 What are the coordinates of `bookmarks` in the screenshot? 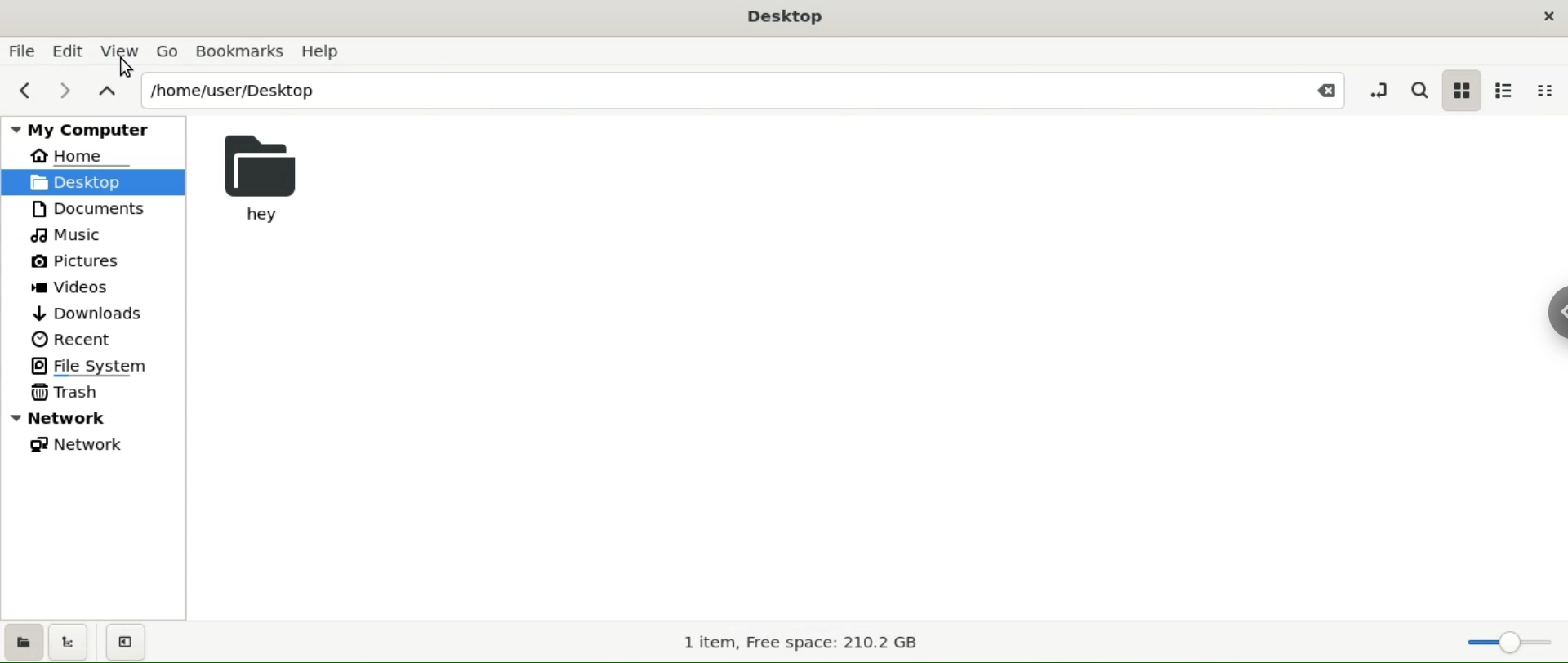 It's located at (243, 49).